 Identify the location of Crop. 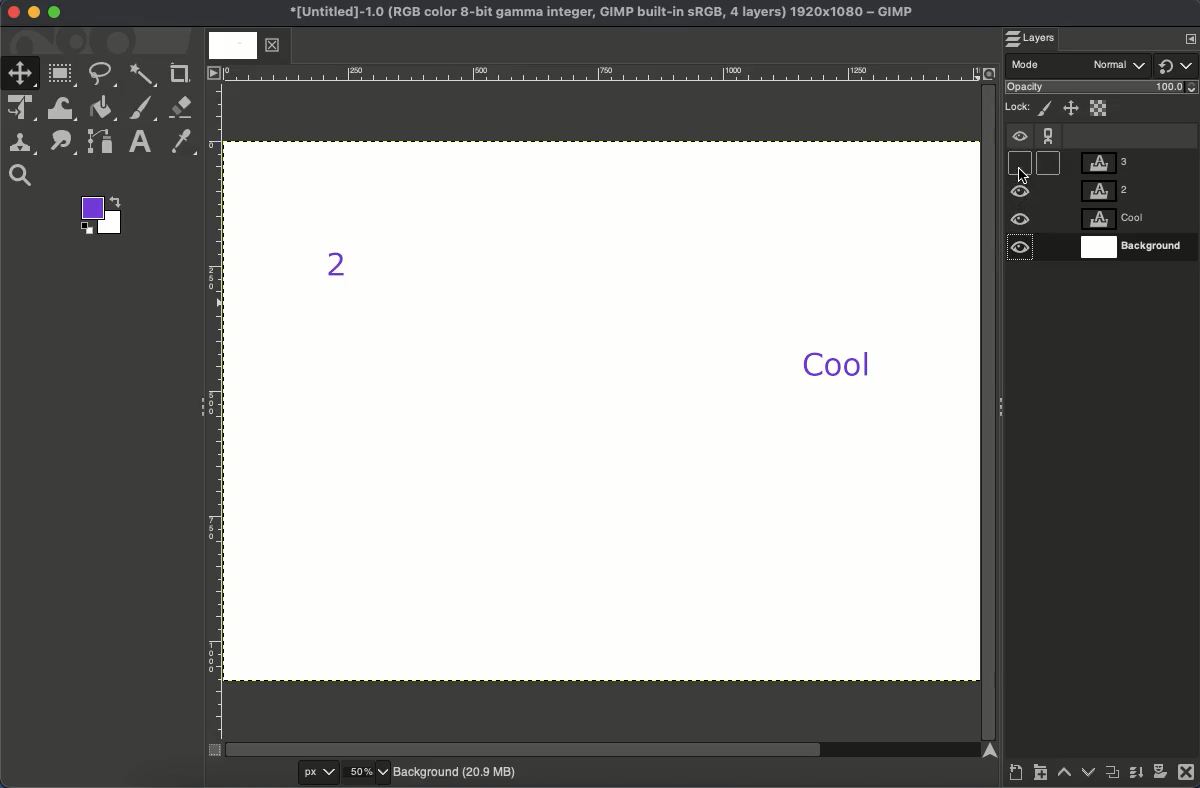
(181, 72).